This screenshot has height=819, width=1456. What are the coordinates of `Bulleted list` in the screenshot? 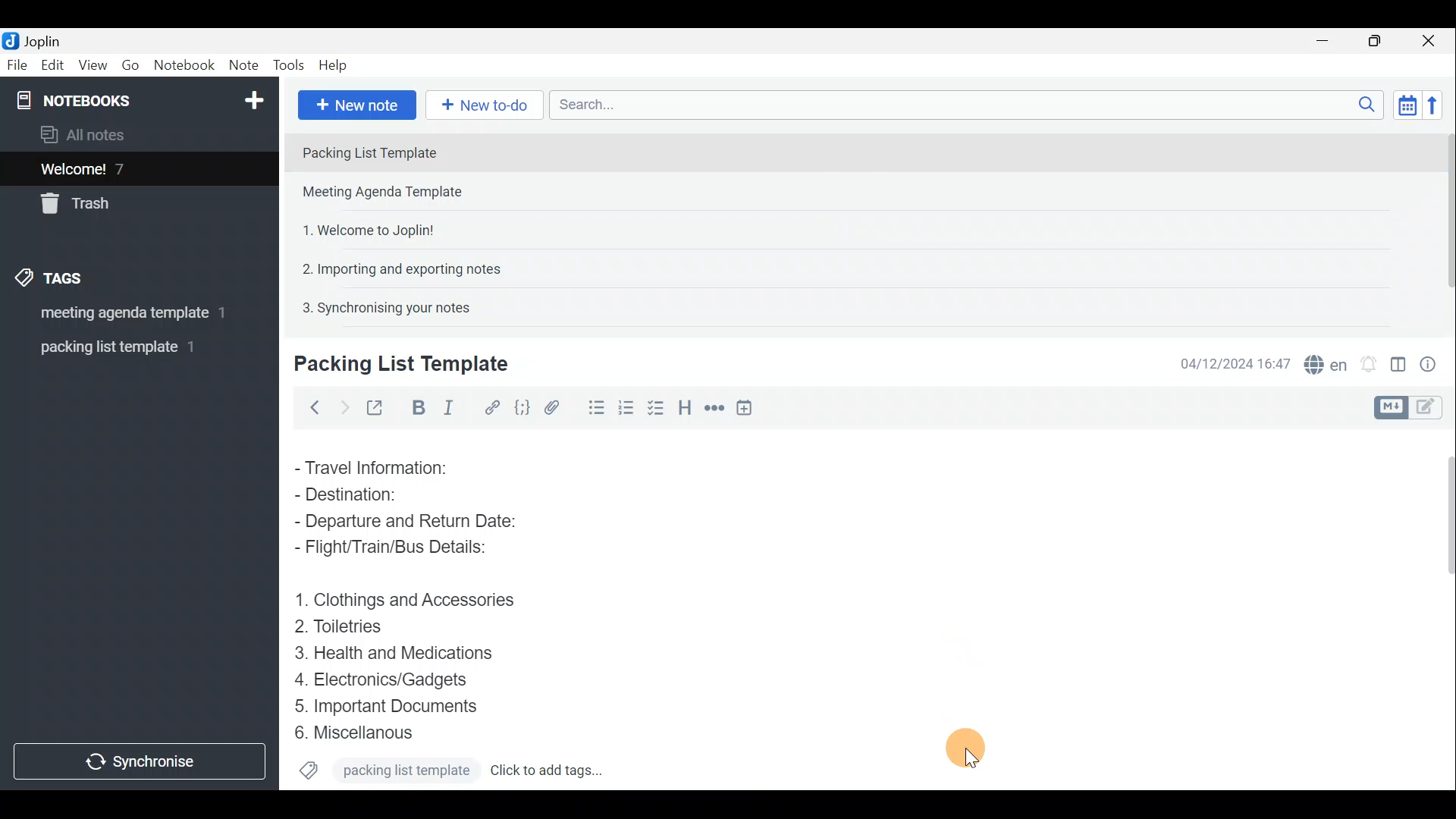 It's located at (591, 410).